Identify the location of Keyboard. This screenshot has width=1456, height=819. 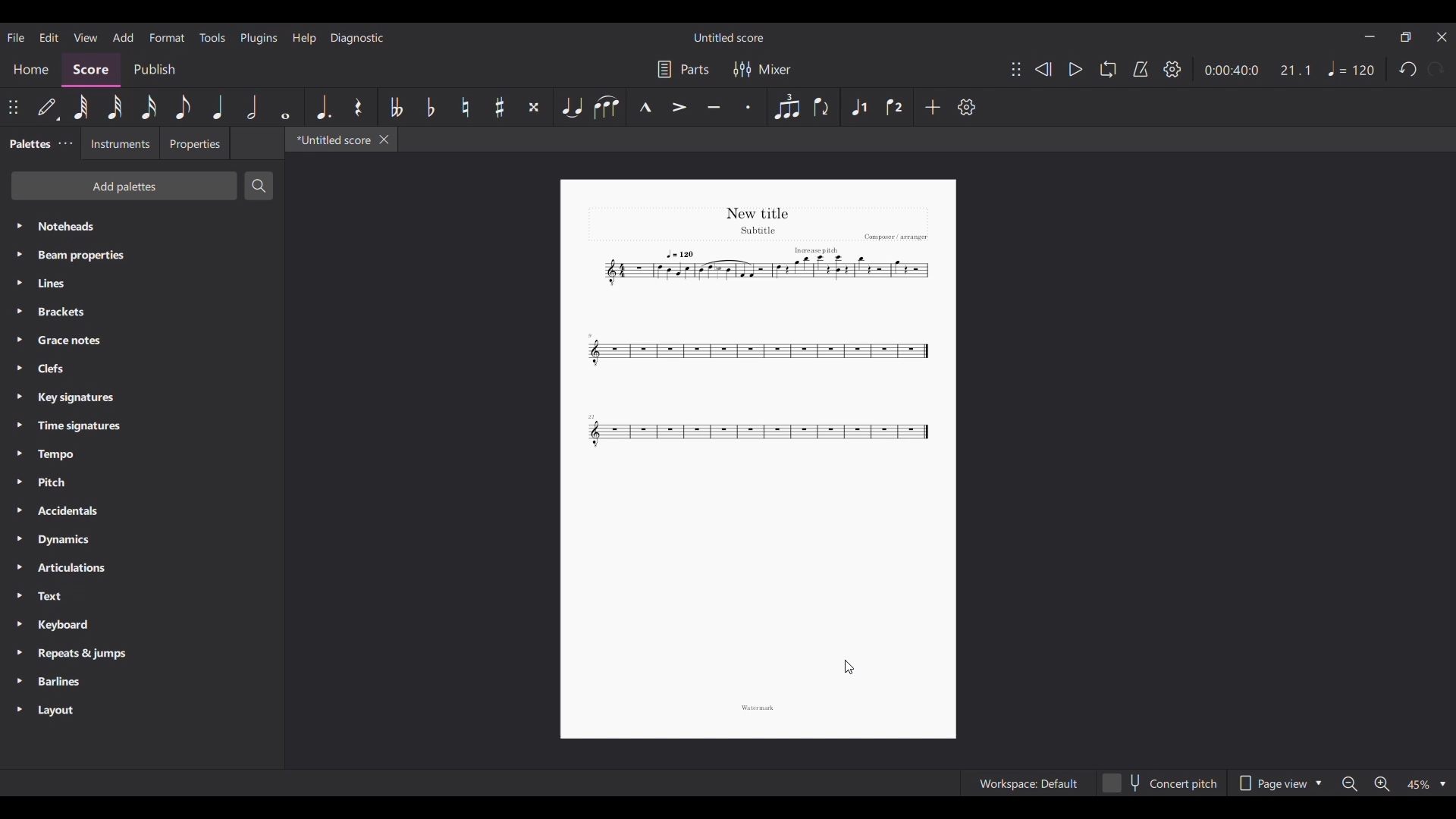
(143, 626).